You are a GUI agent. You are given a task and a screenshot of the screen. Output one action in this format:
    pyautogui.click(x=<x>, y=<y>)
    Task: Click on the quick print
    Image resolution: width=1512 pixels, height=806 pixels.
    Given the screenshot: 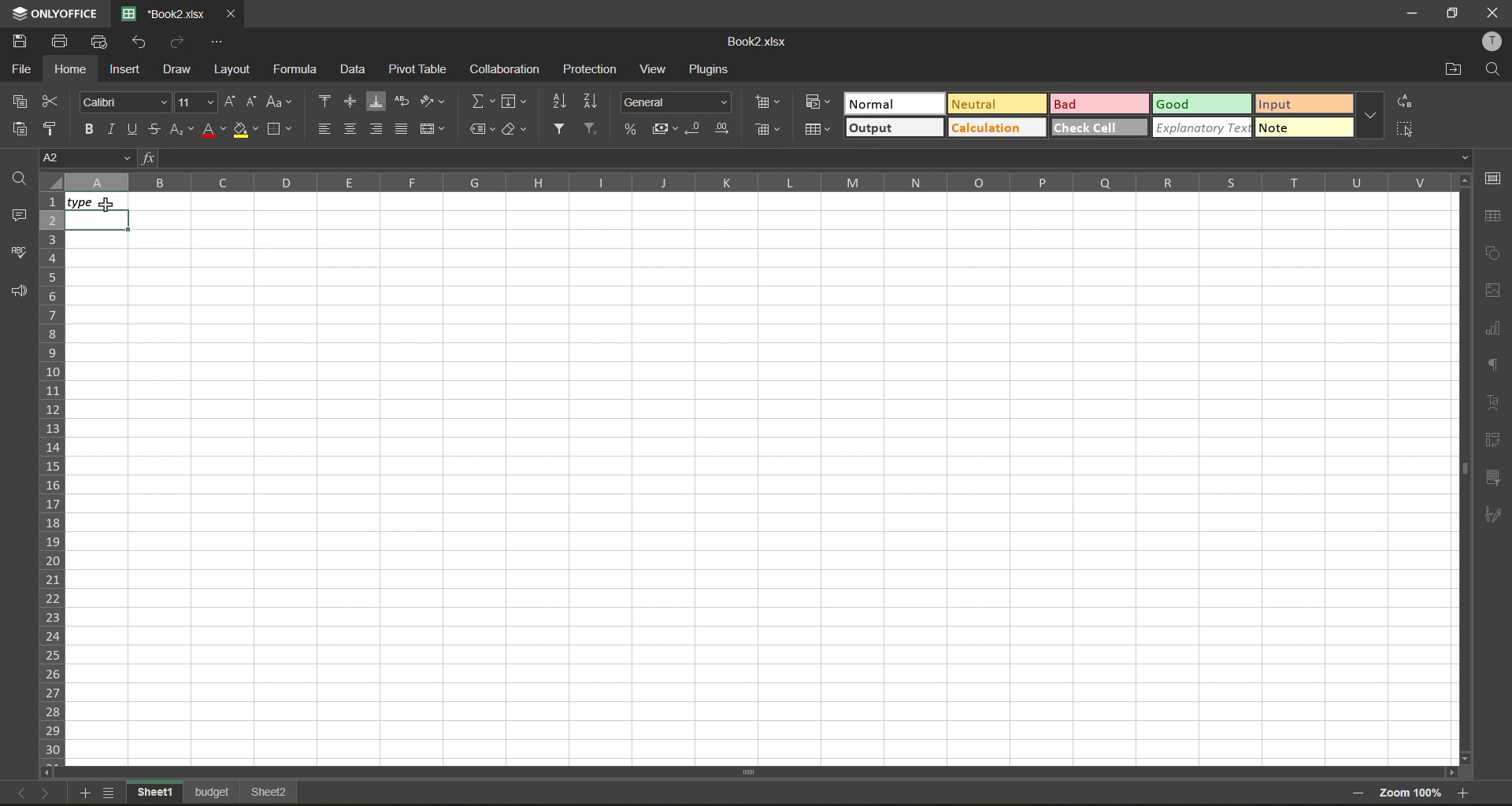 What is the action you would take?
    pyautogui.click(x=100, y=42)
    